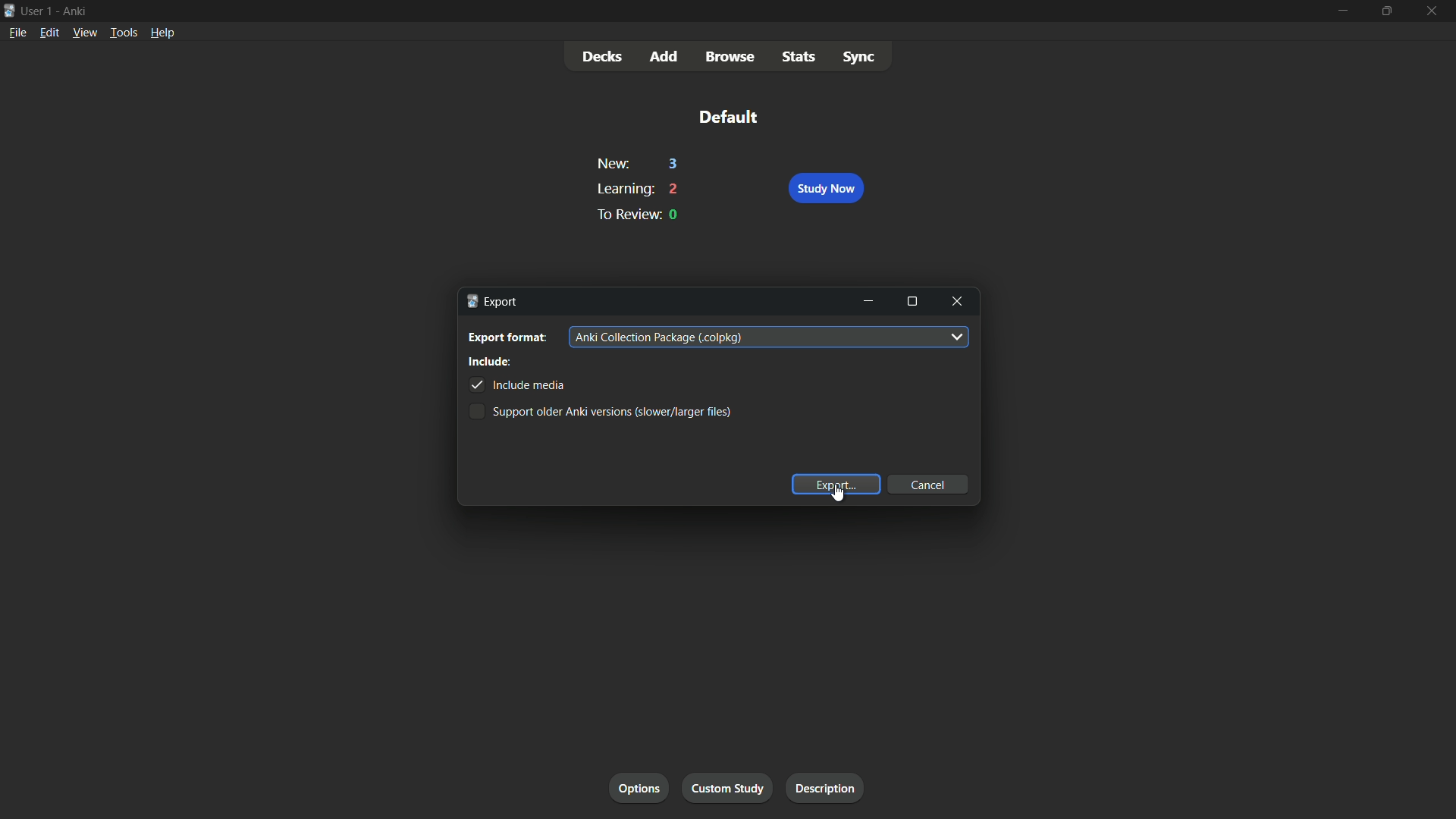  What do you see at coordinates (76, 10) in the screenshot?
I see `app name` at bounding box center [76, 10].